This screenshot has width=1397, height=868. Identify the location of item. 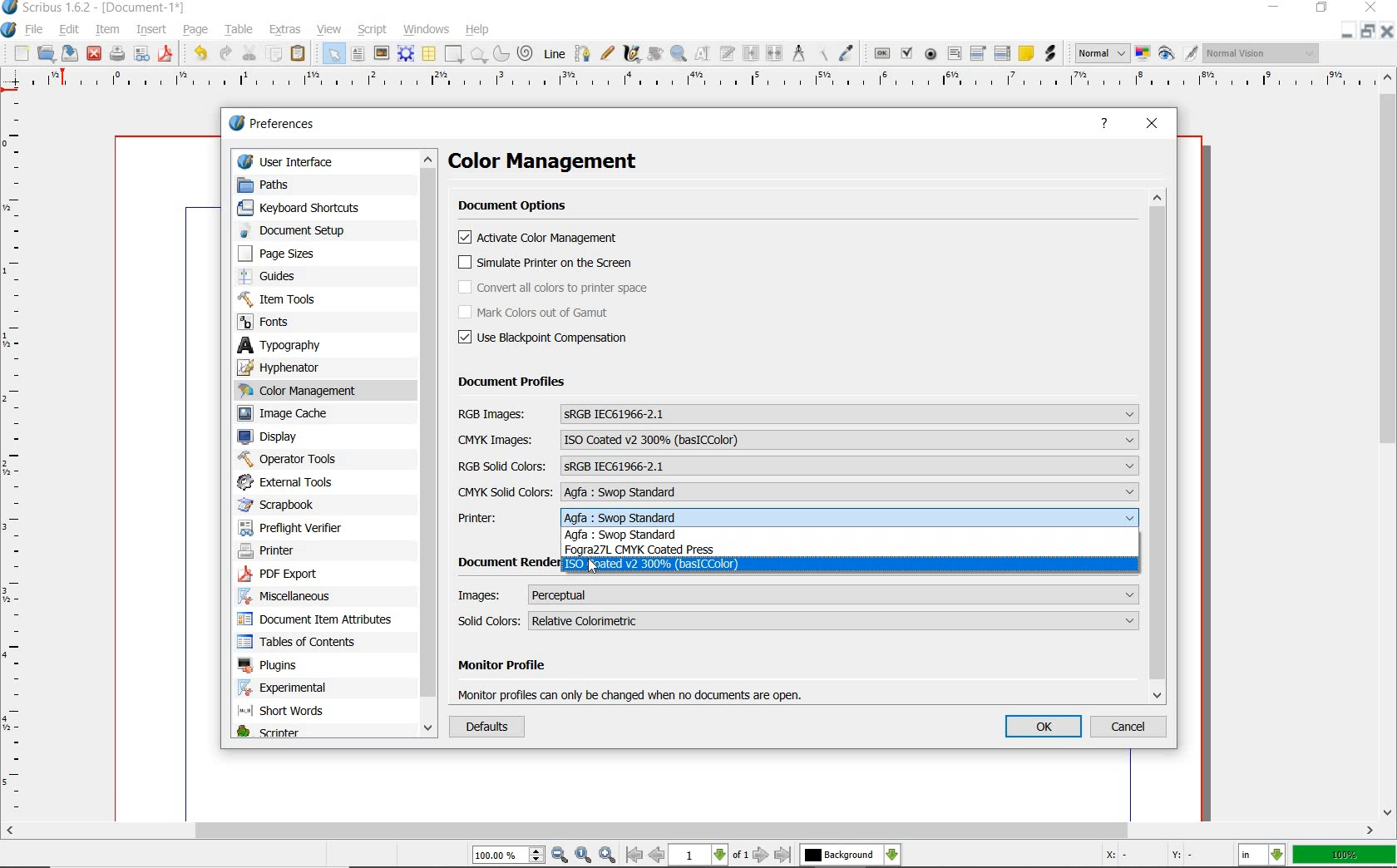
(108, 29).